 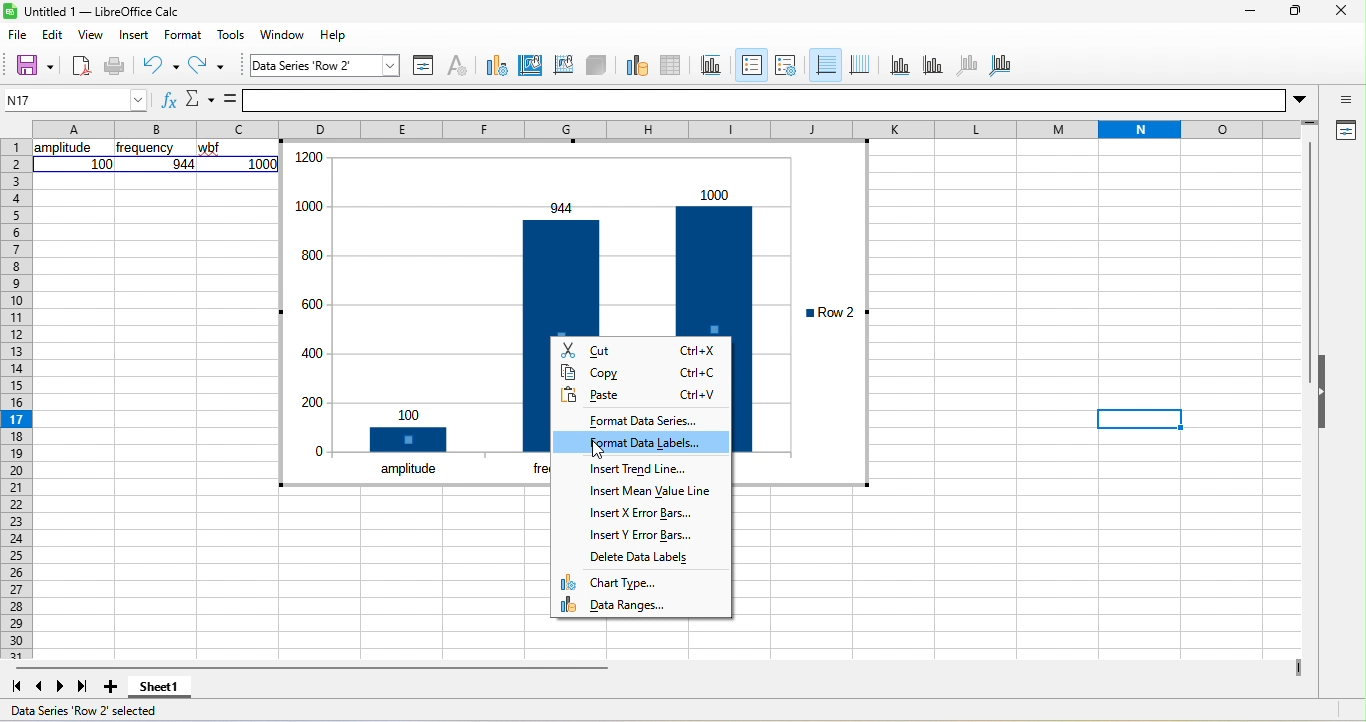 What do you see at coordinates (709, 69) in the screenshot?
I see `title` at bounding box center [709, 69].